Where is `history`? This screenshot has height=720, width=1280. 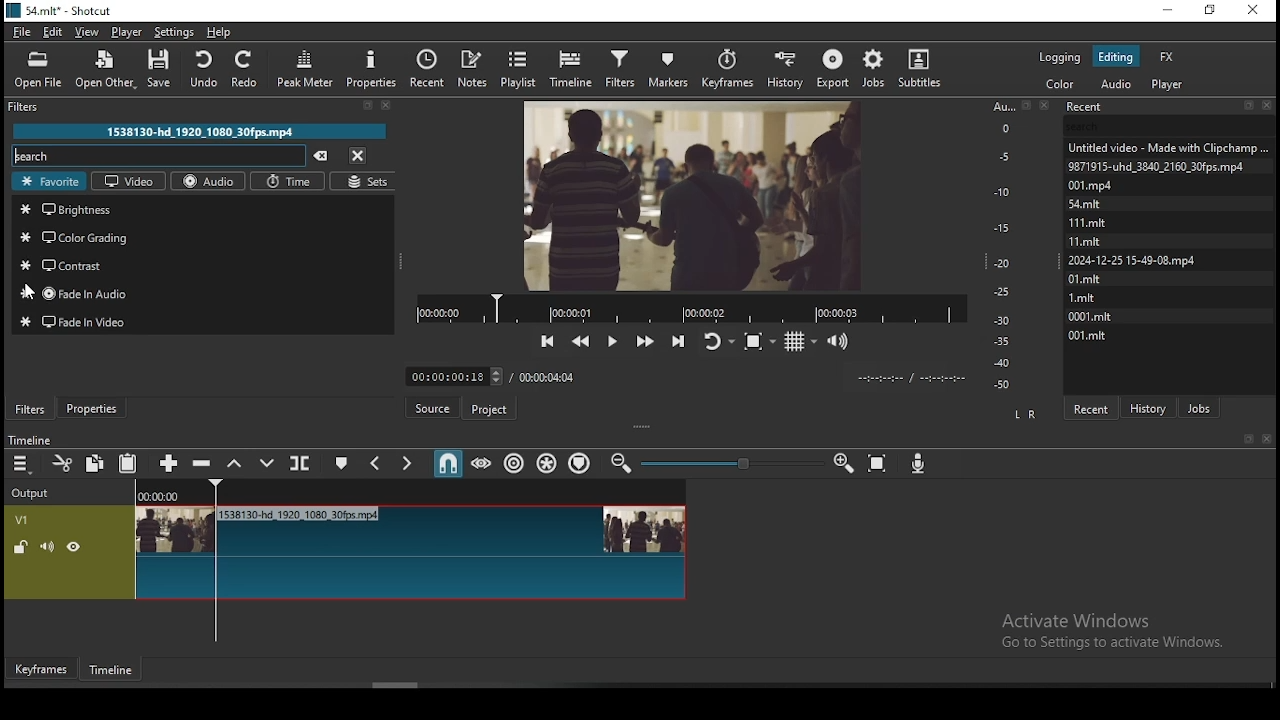 history is located at coordinates (786, 69).